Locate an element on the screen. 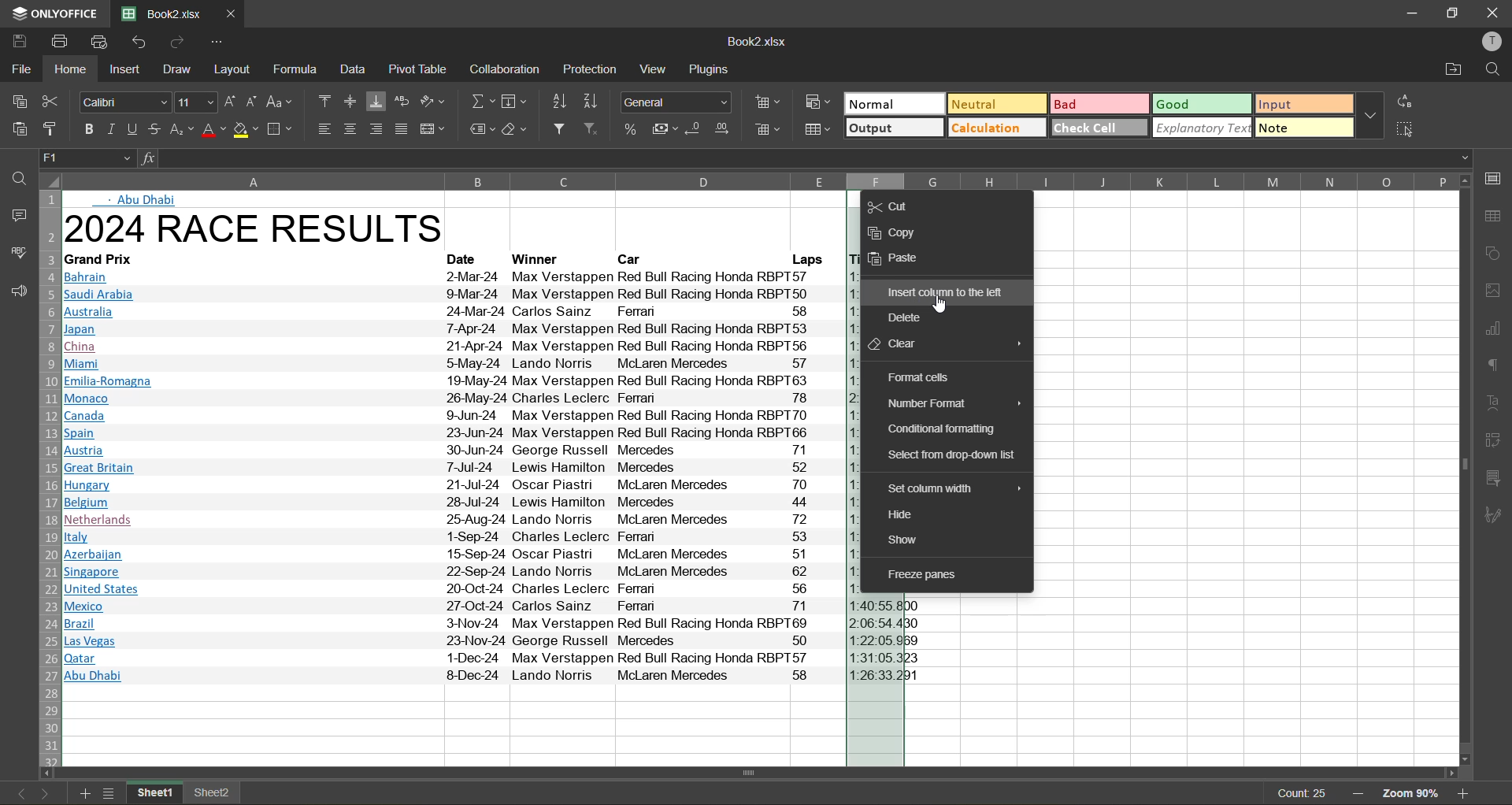 The height and width of the screenshot is (805, 1512). sub\superscript is located at coordinates (183, 129).